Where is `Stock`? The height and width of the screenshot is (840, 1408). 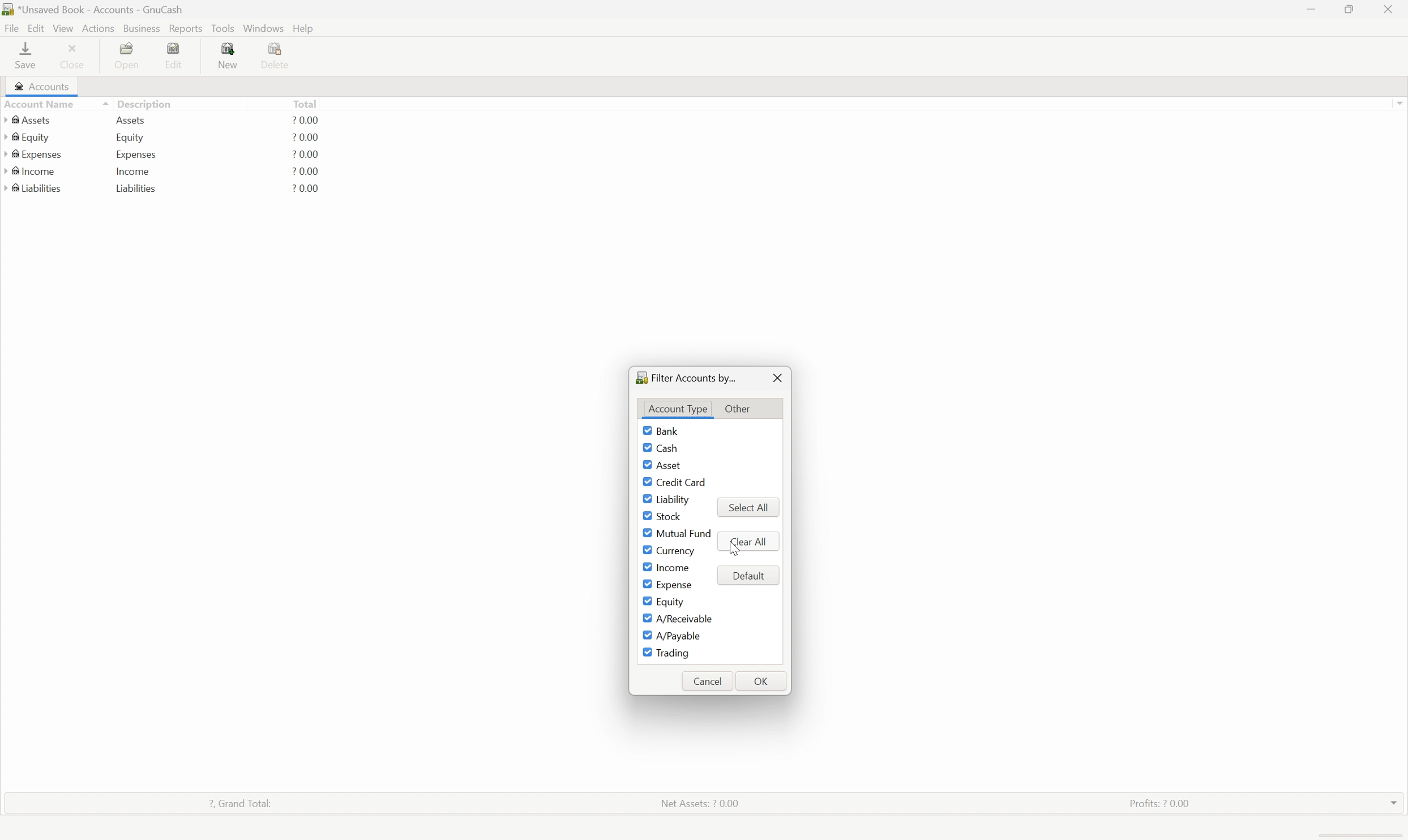
Stock is located at coordinates (673, 518).